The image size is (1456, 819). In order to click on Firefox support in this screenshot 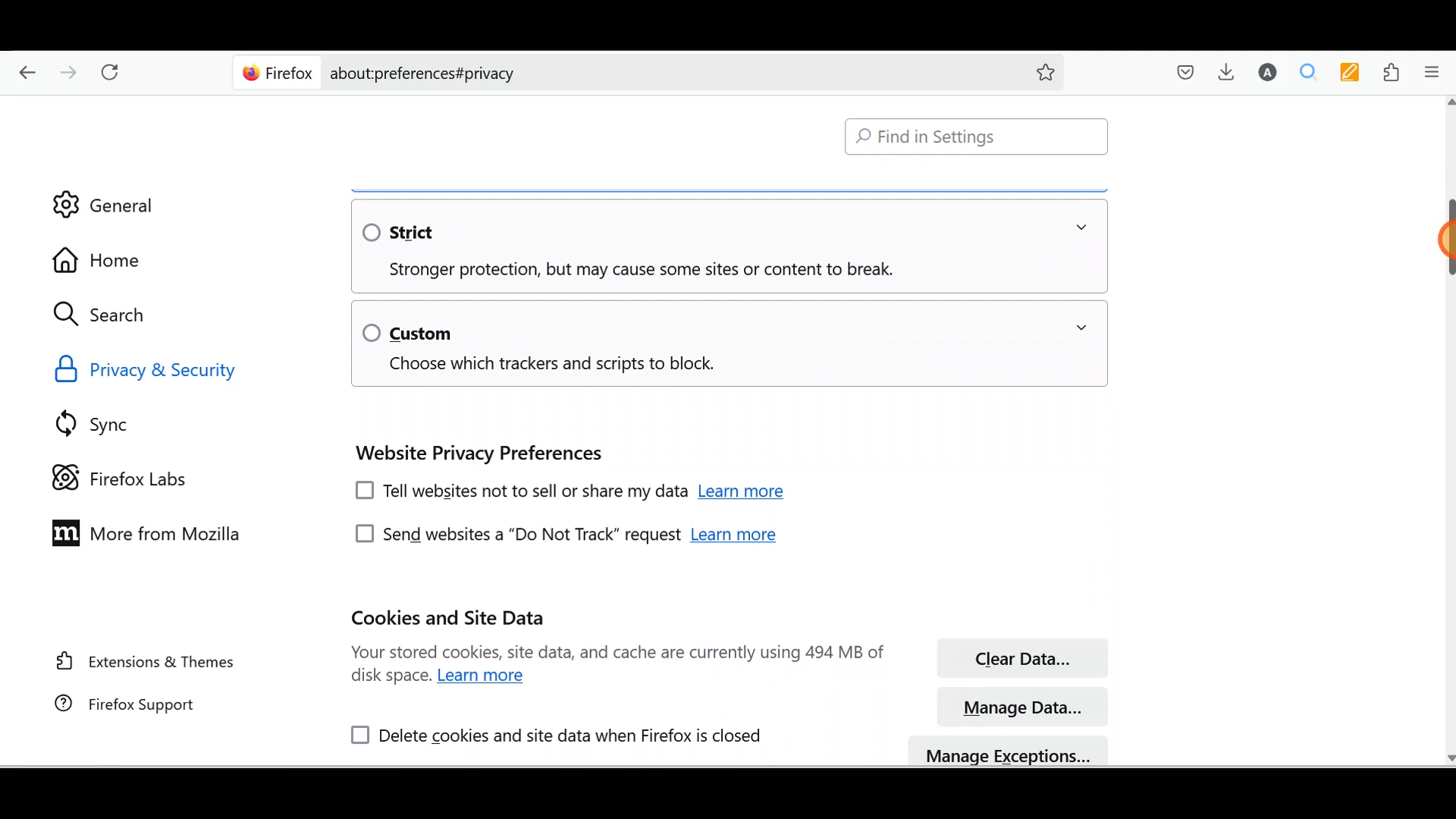, I will do `click(142, 706)`.